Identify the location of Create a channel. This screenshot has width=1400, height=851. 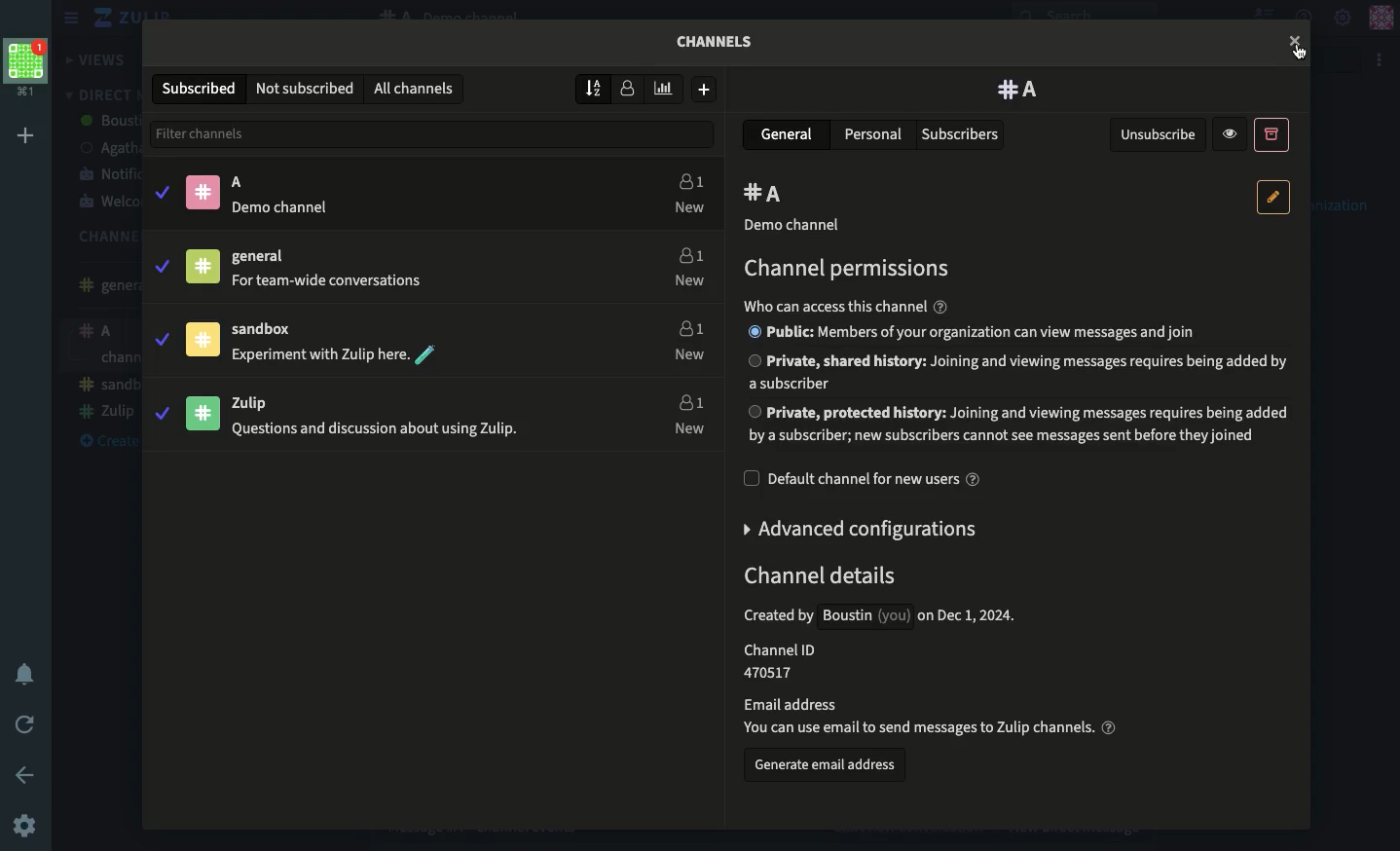
(102, 415).